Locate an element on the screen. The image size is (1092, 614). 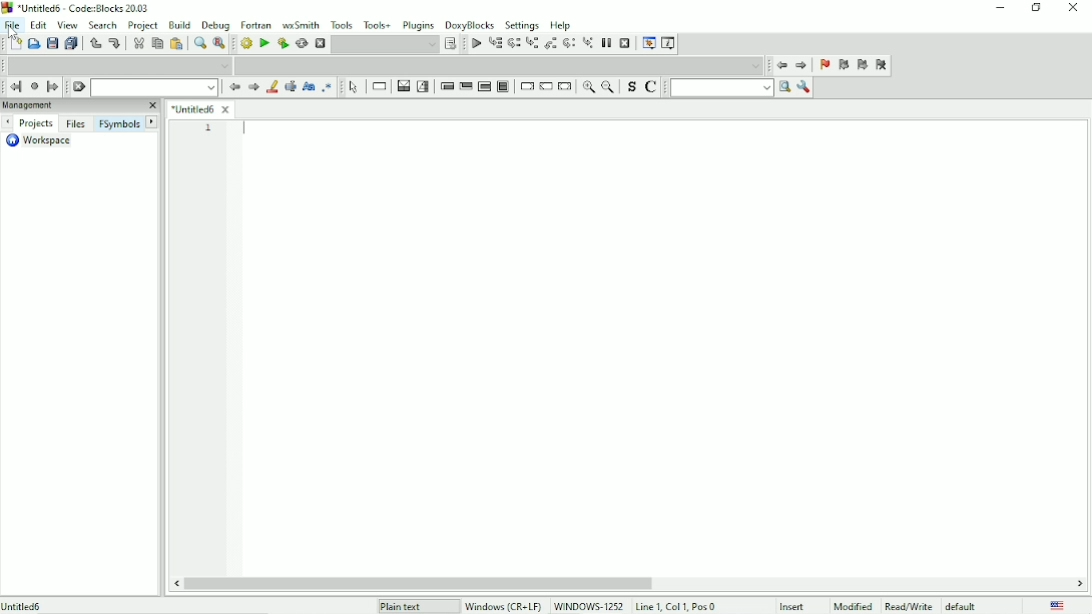
Search is located at coordinates (103, 24).